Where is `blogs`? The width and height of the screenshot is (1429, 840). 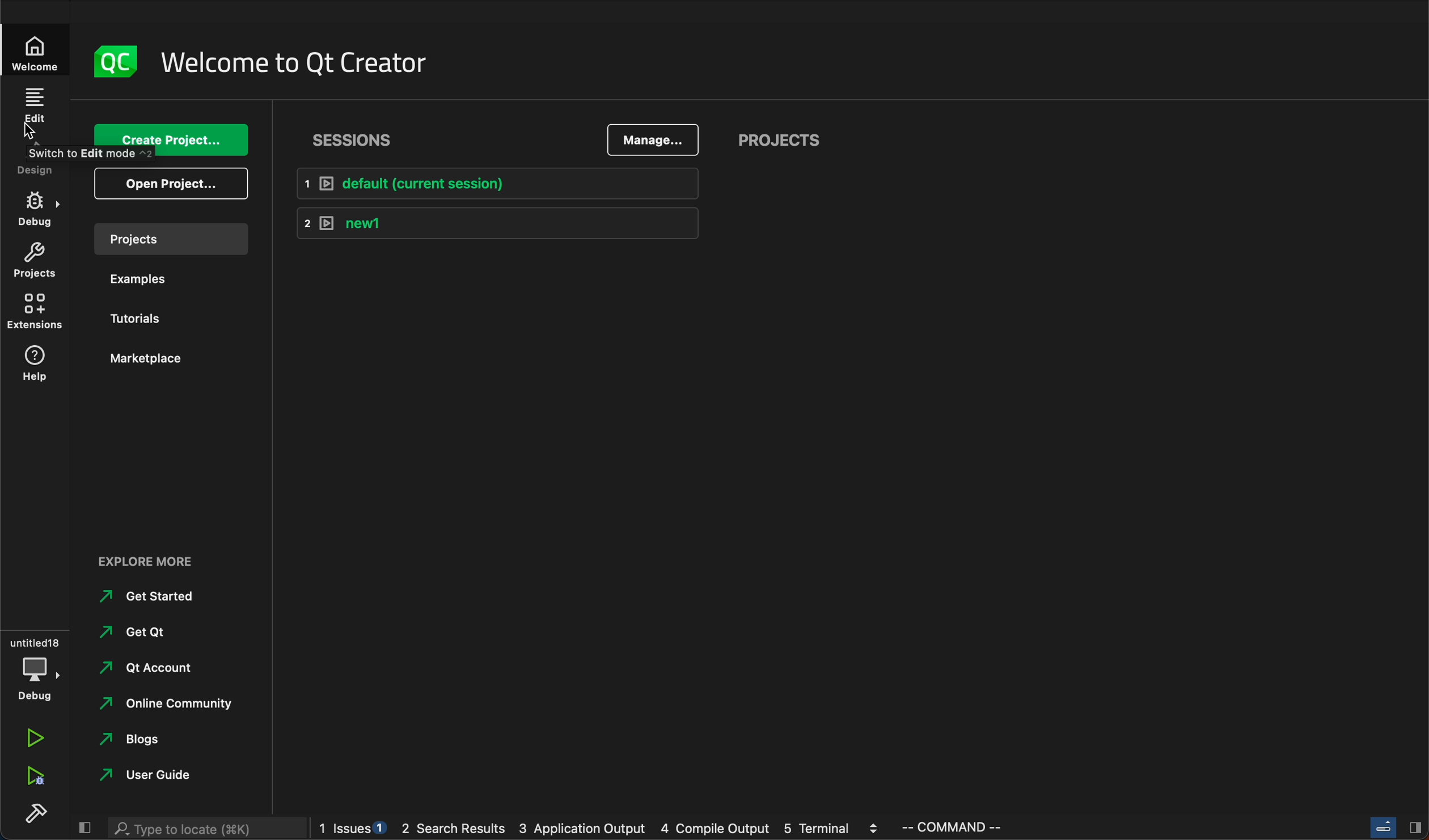
blogs is located at coordinates (150, 739).